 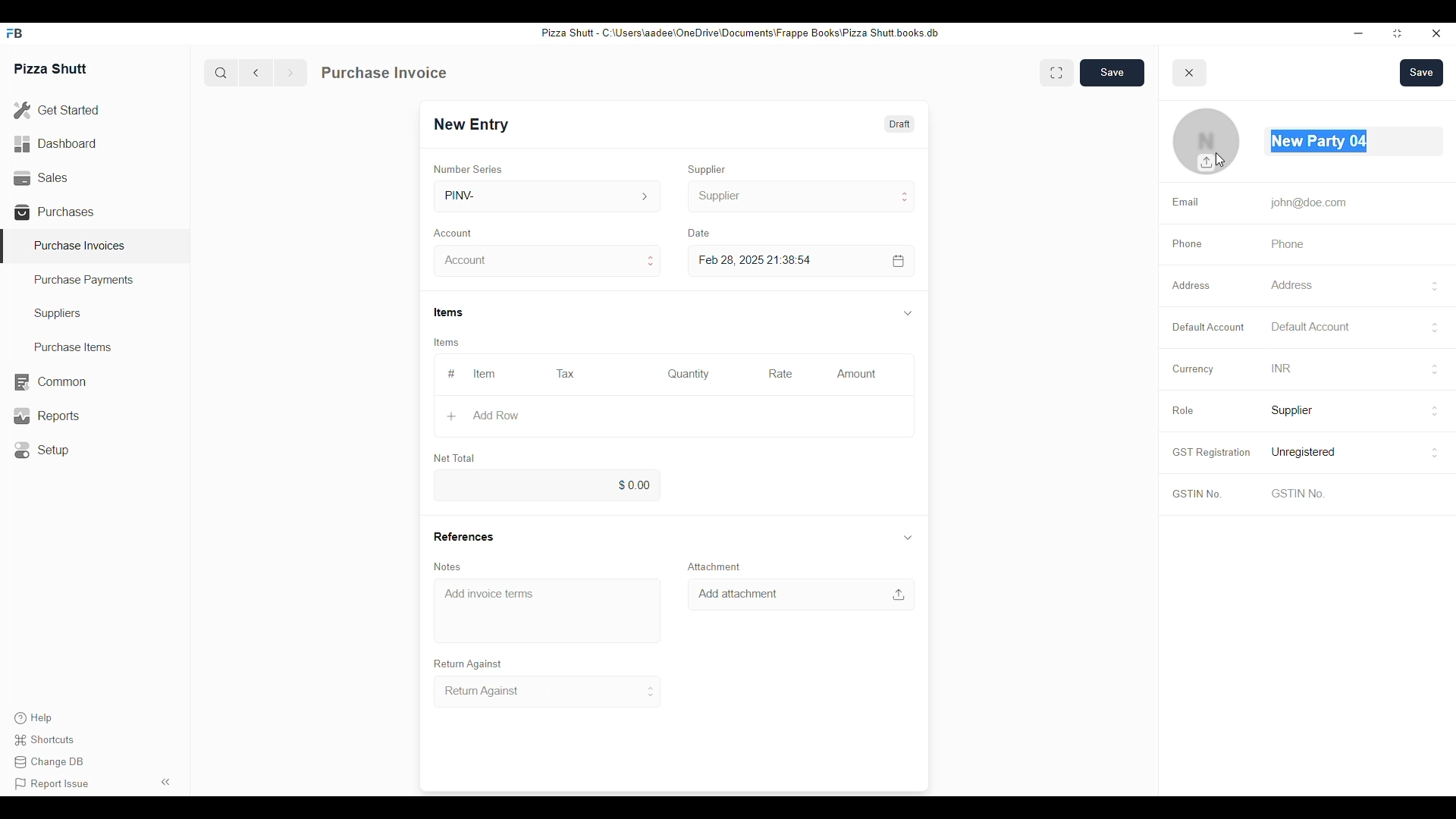 What do you see at coordinates (1185, 202) in the screenshot?
I see `Email` at bounding box center [1185, 202].